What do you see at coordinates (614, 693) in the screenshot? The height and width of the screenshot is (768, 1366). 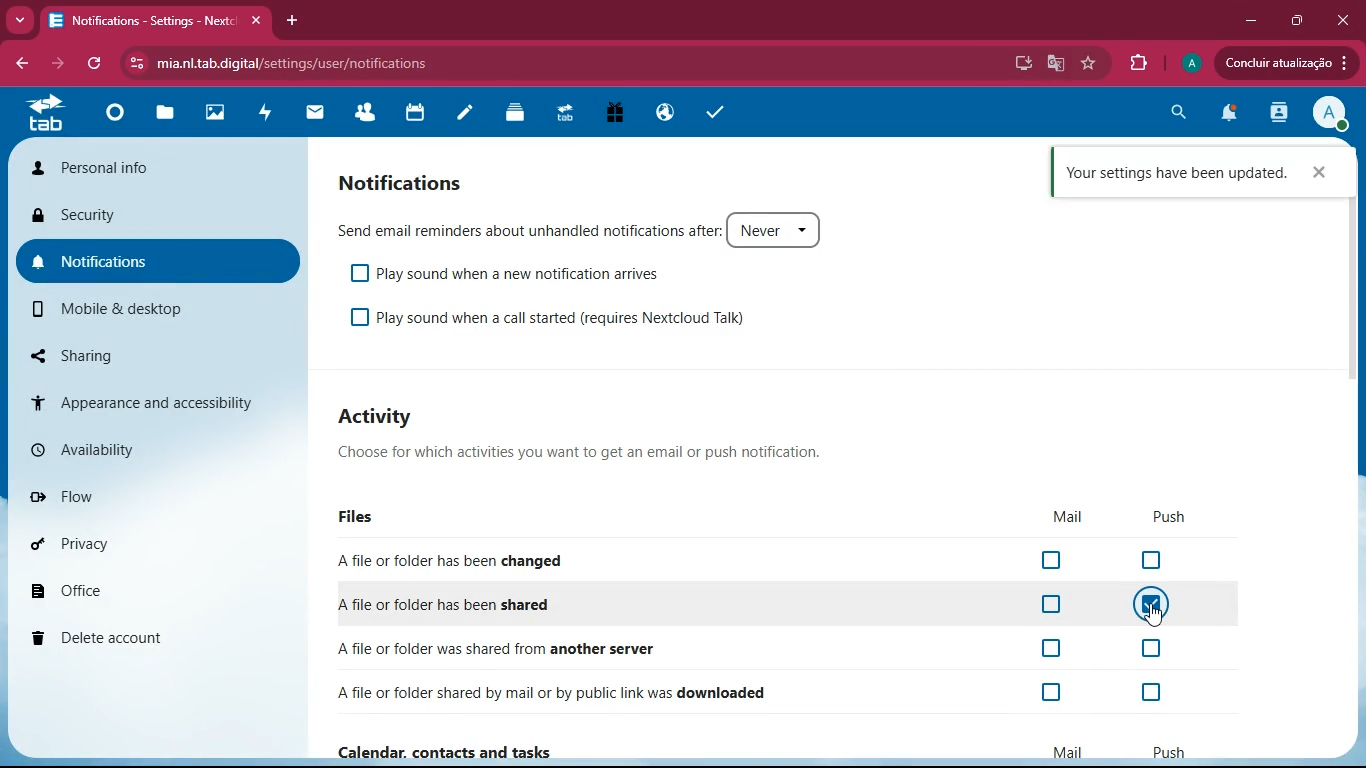 I see `downloaded` at bounding box center [614, 693].